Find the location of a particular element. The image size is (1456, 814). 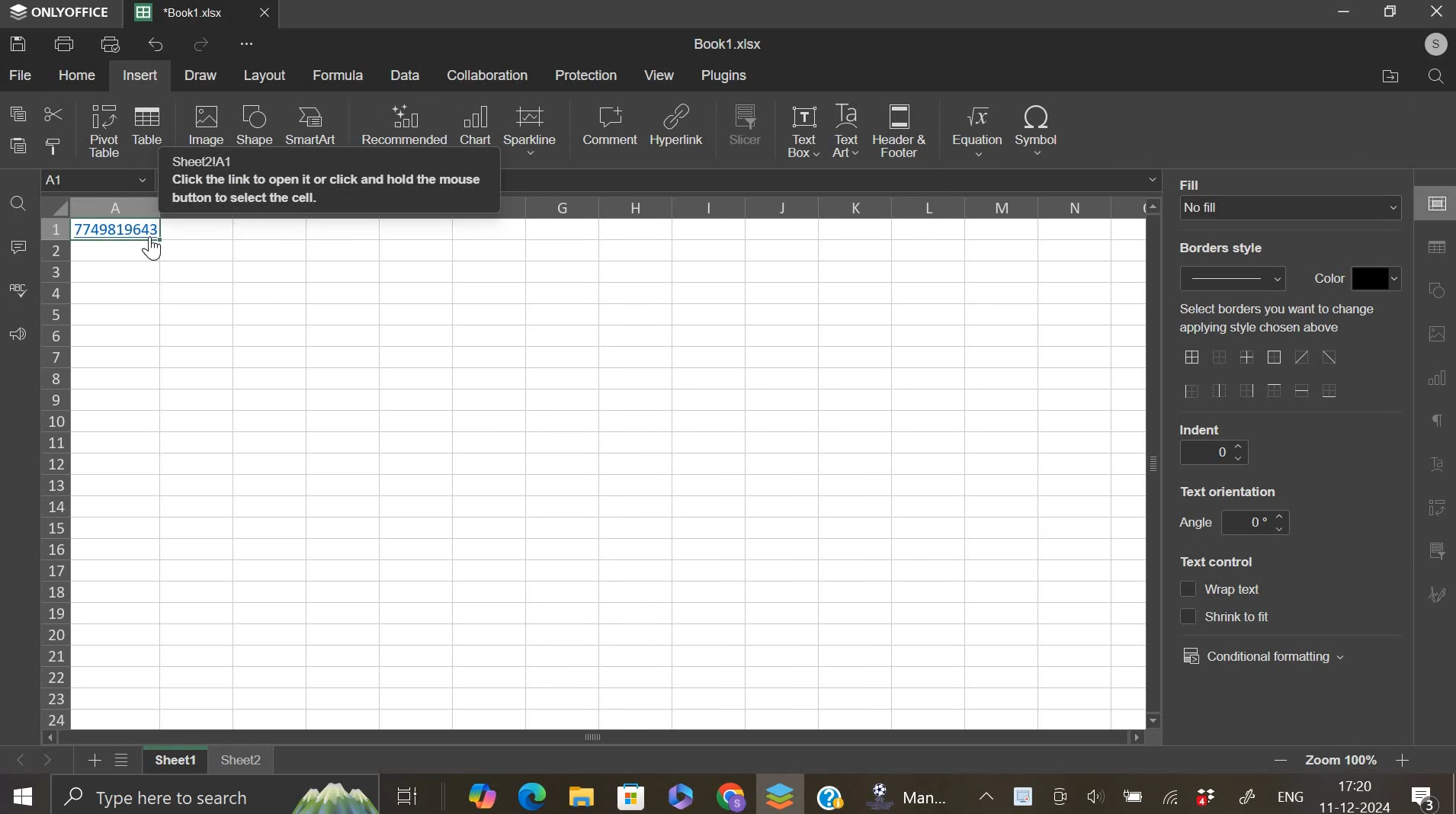

shape is located at coordinates (254, 127).